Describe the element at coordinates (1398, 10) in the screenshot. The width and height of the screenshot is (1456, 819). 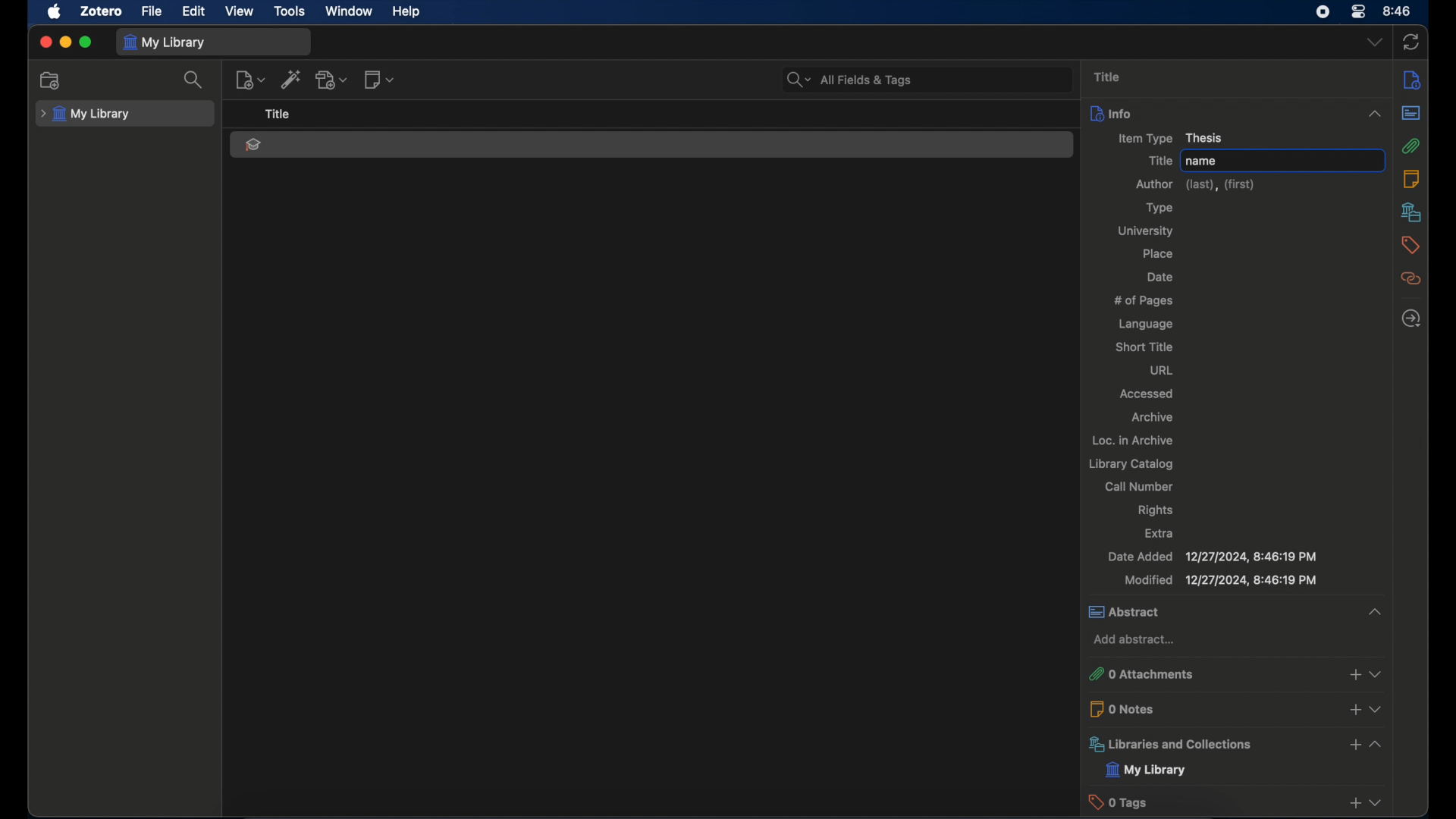
I see `time` at that location.